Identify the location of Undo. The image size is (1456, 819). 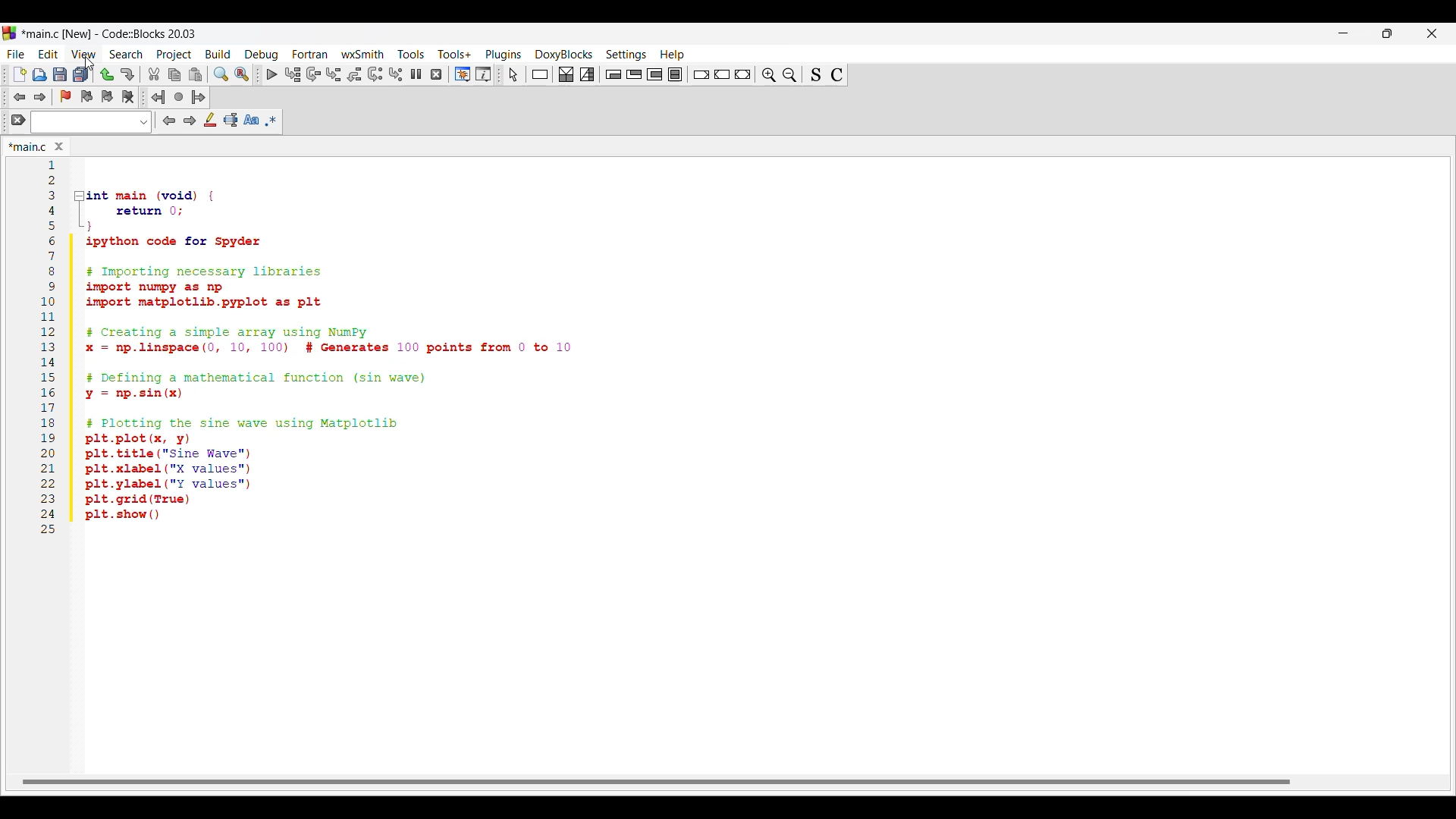
(107, 74).